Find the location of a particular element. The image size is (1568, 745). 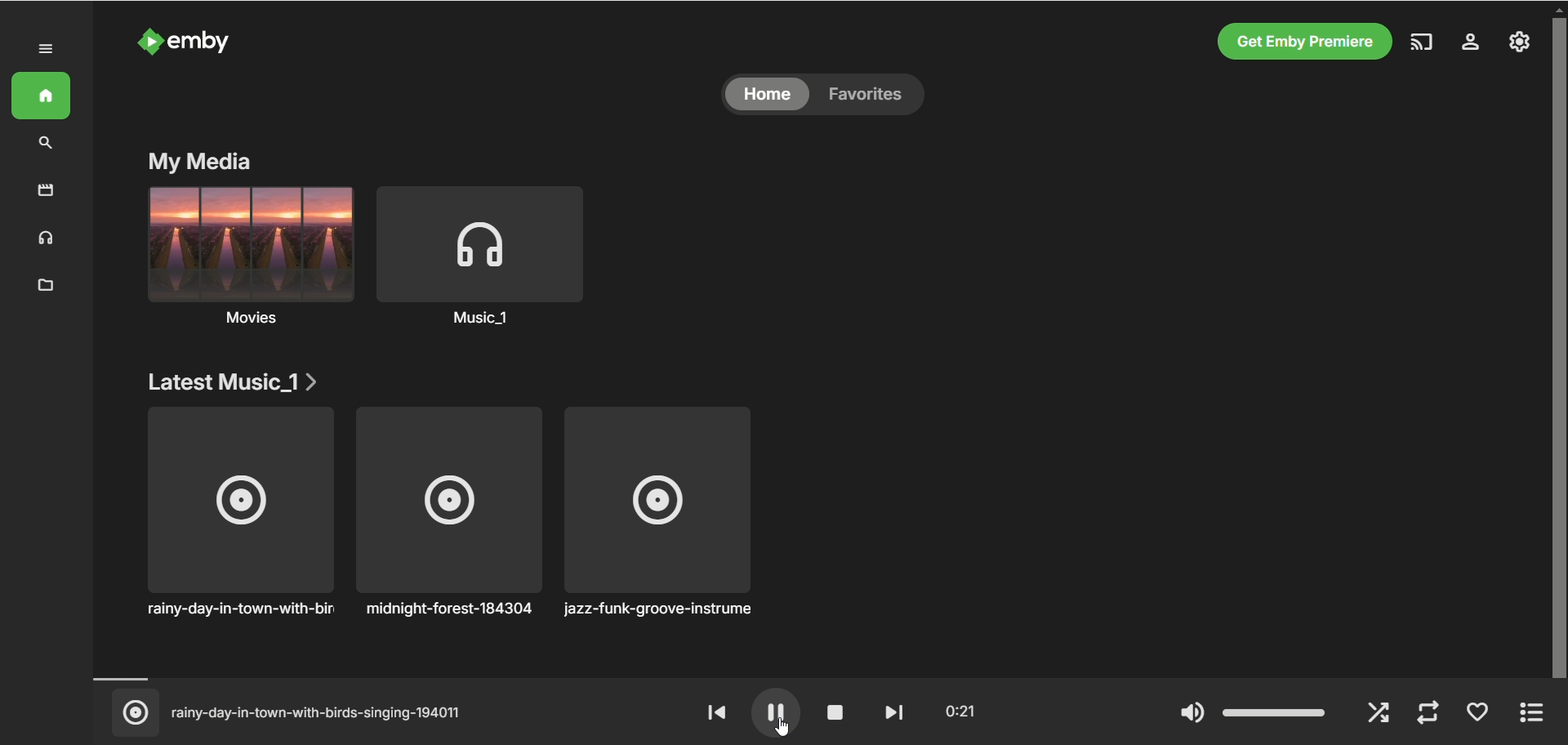

jazz-funk-groove-instrument is located at coordinates (660, 512).